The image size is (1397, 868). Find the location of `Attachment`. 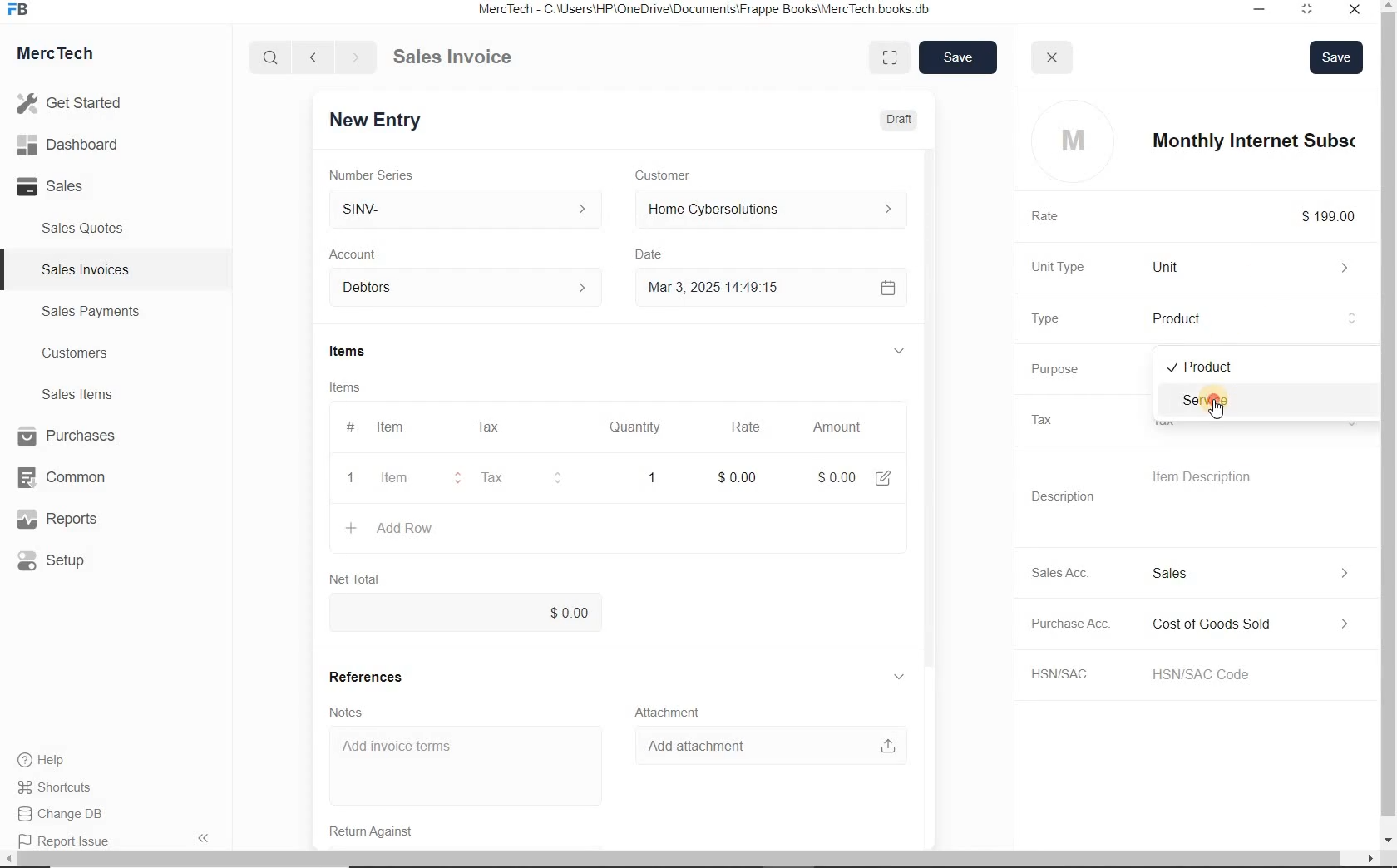

Attachment is located at coordinates (674, 710).